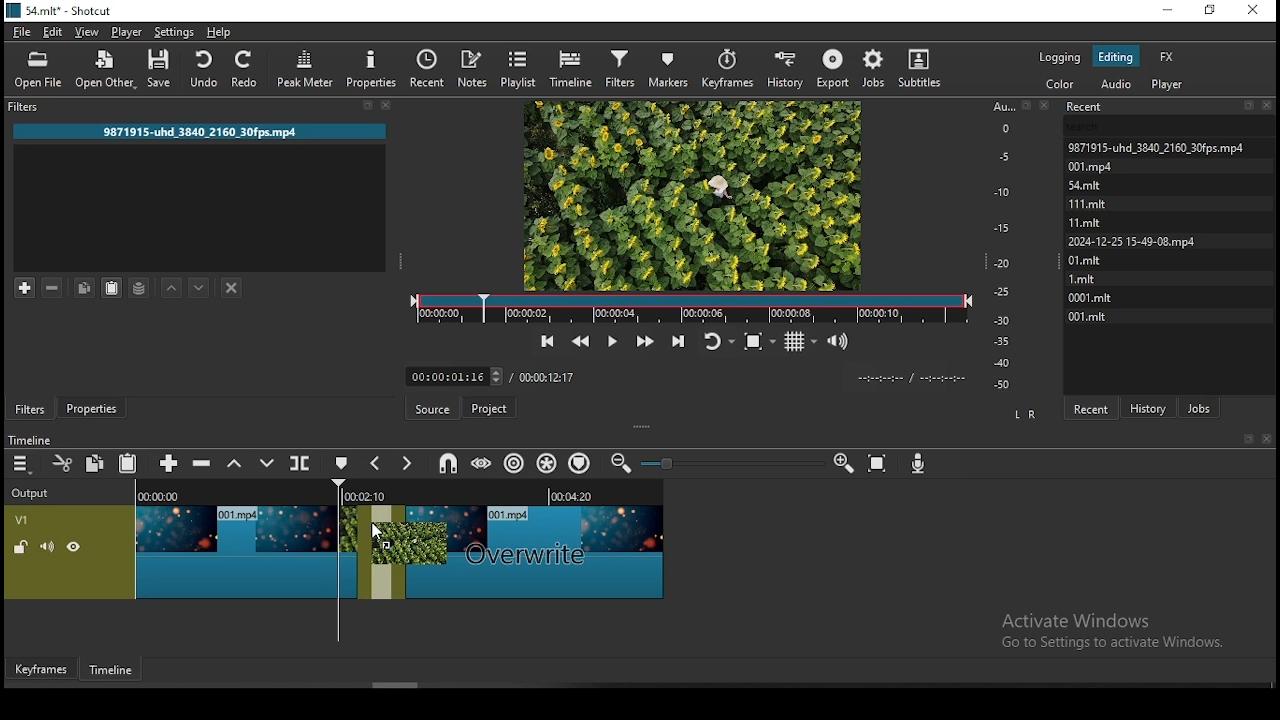  Describe the element at coordinates (87, 33) in the screenshot. I see `view` at that location.